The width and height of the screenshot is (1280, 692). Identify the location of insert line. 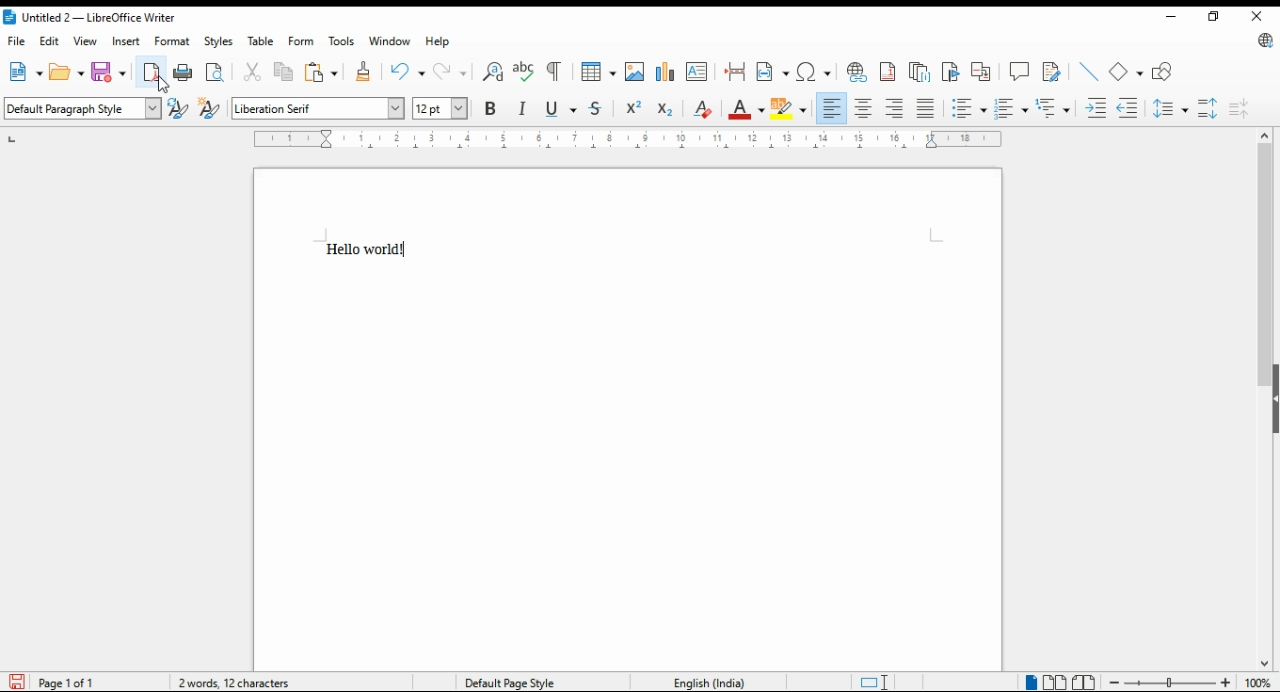
(1087, 71).